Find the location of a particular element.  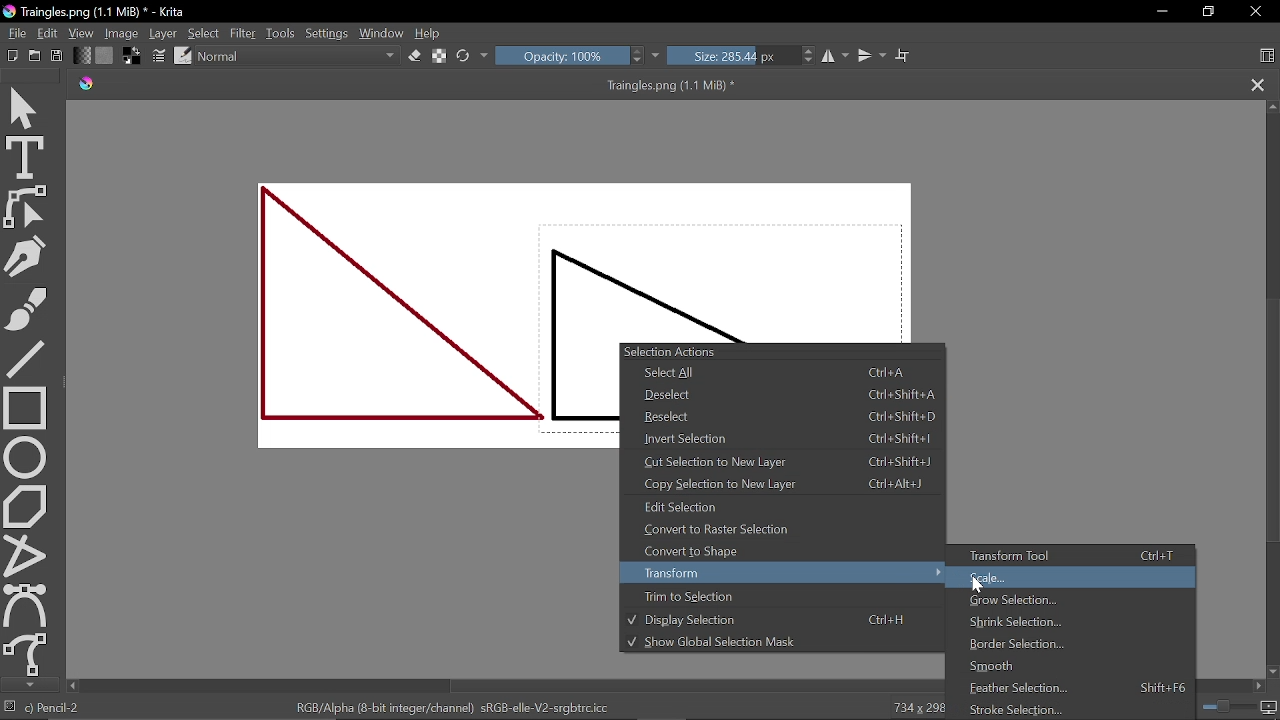

Background color is located at coordinates (134, 57).